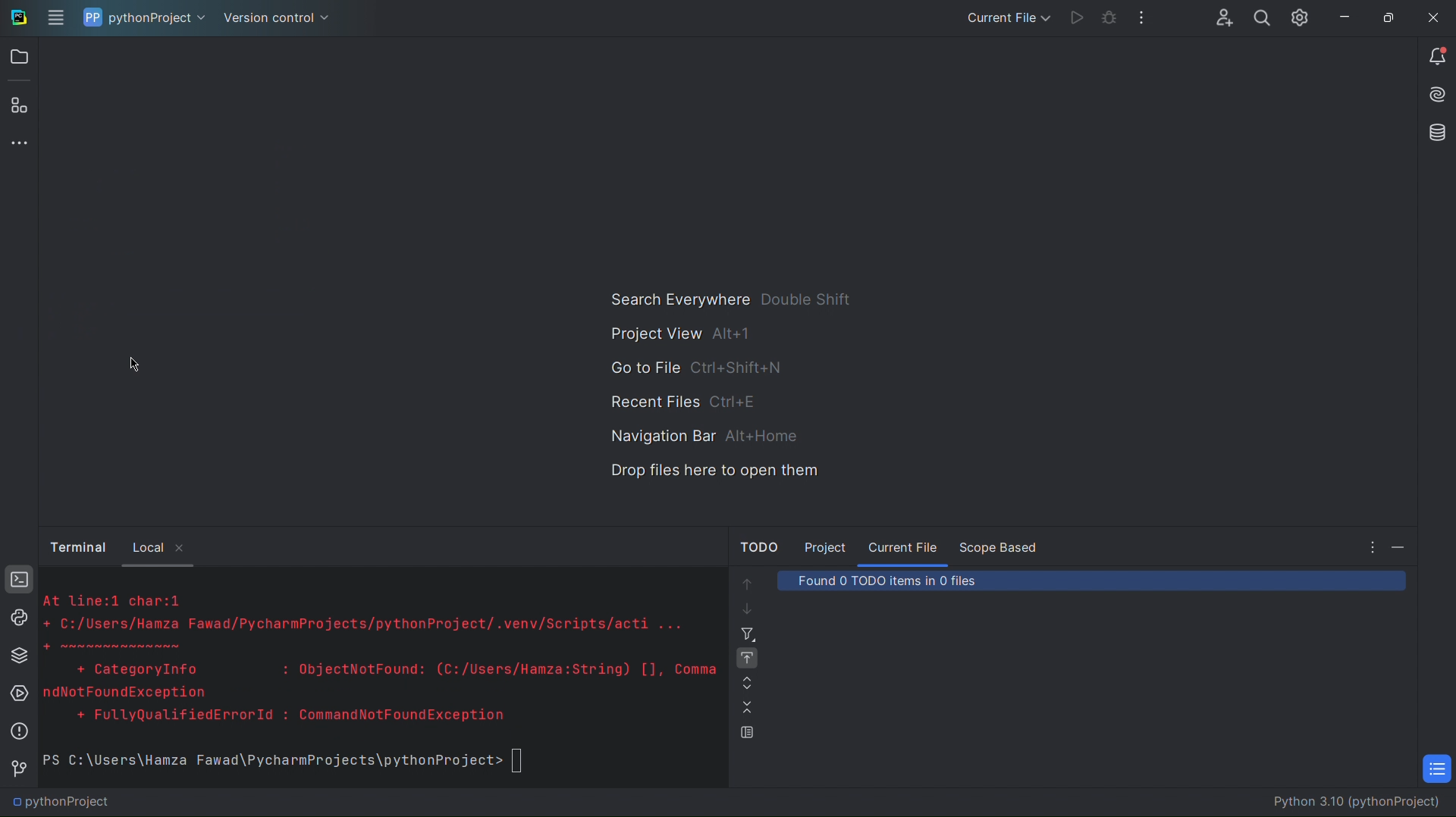  What do you see at coordinates (1437, 57) in the screenshot?
I see `Notifications` at bounding box center [1437, 57].